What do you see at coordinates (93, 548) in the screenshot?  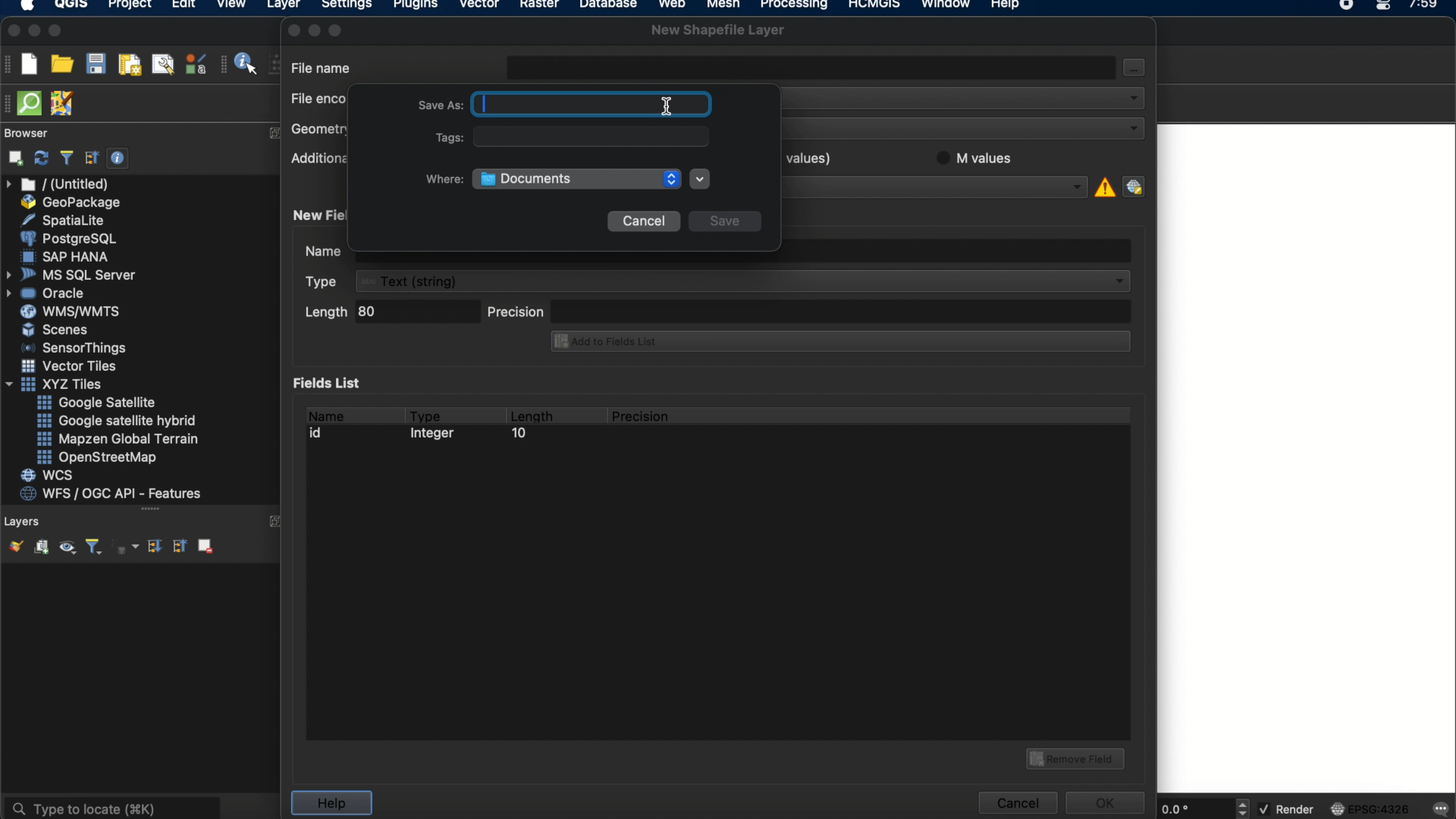 I see `filter legend` at bounding box center [93, 548].